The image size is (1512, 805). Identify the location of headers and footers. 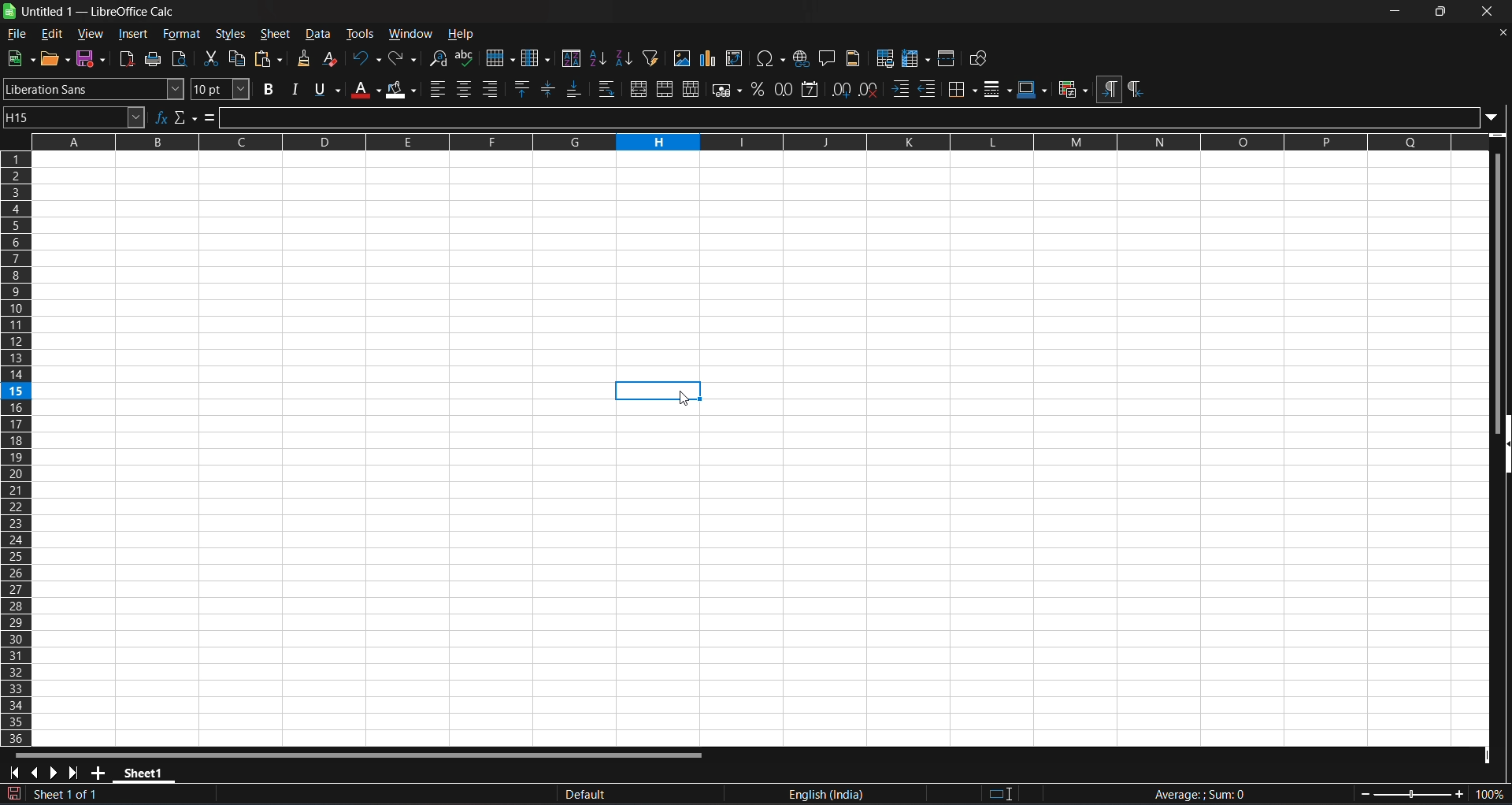
(854, 59).